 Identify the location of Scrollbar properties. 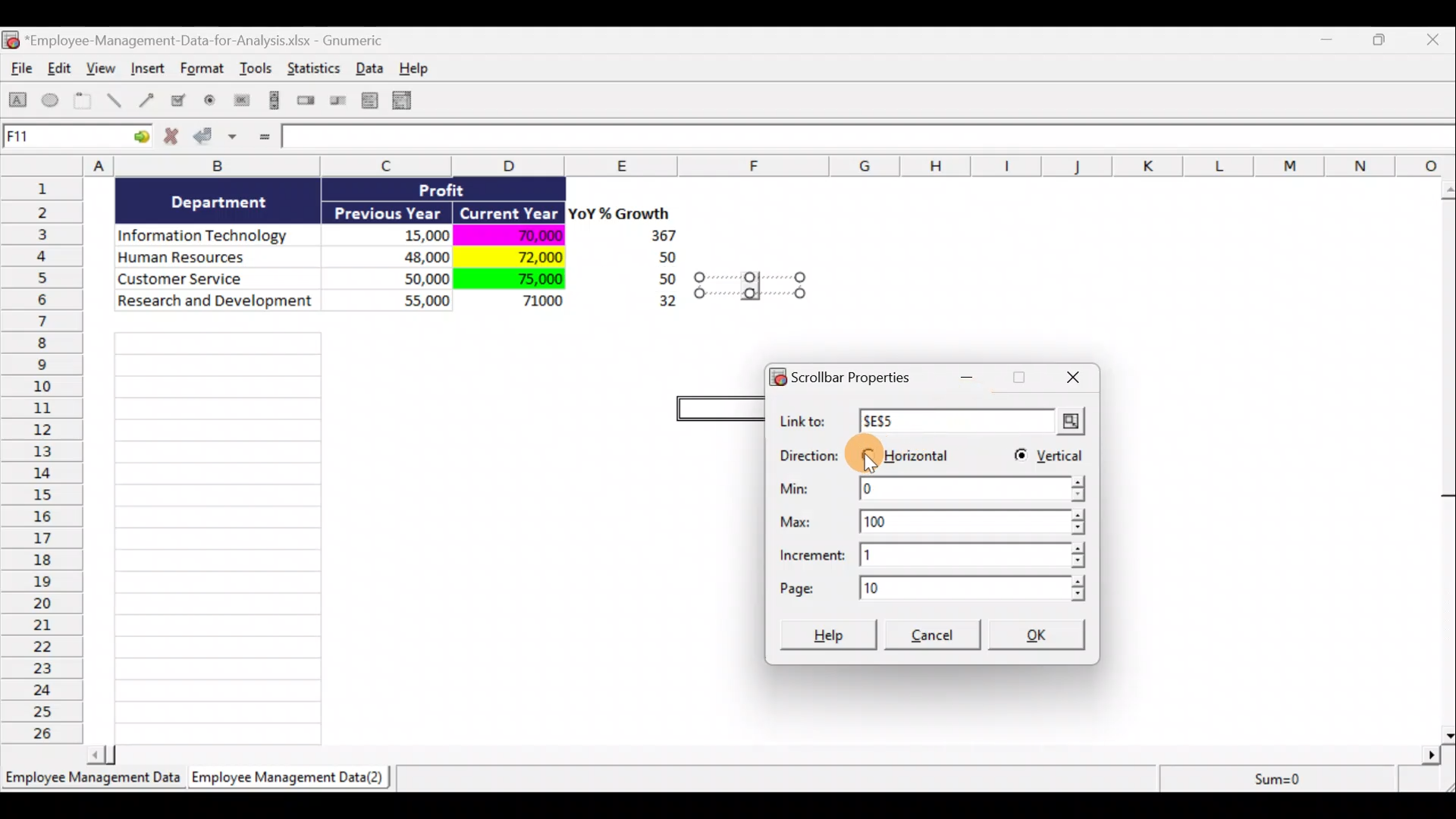
(848, 375).